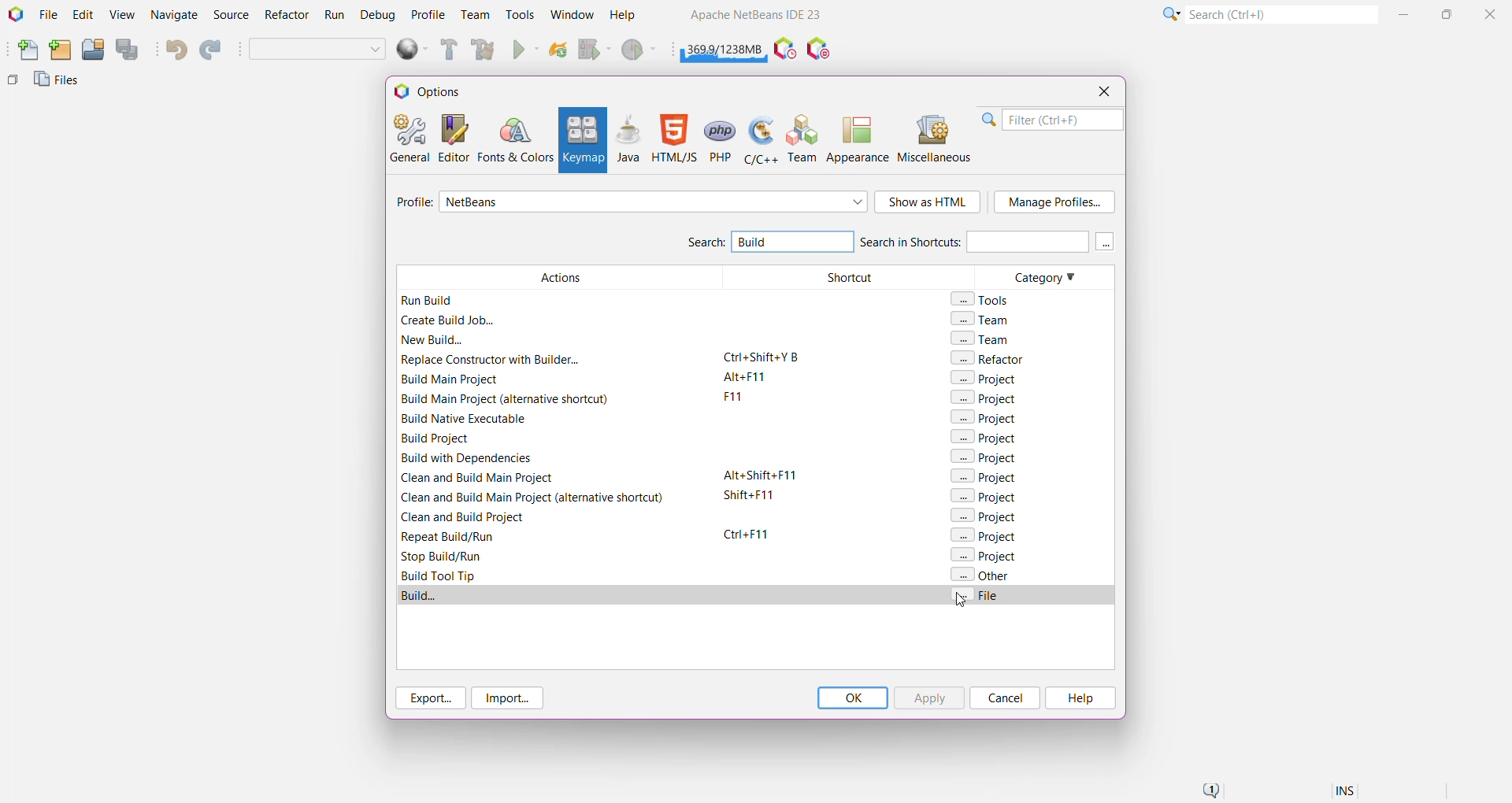  I want to click on Set Project Configuration, so click(318, 50).